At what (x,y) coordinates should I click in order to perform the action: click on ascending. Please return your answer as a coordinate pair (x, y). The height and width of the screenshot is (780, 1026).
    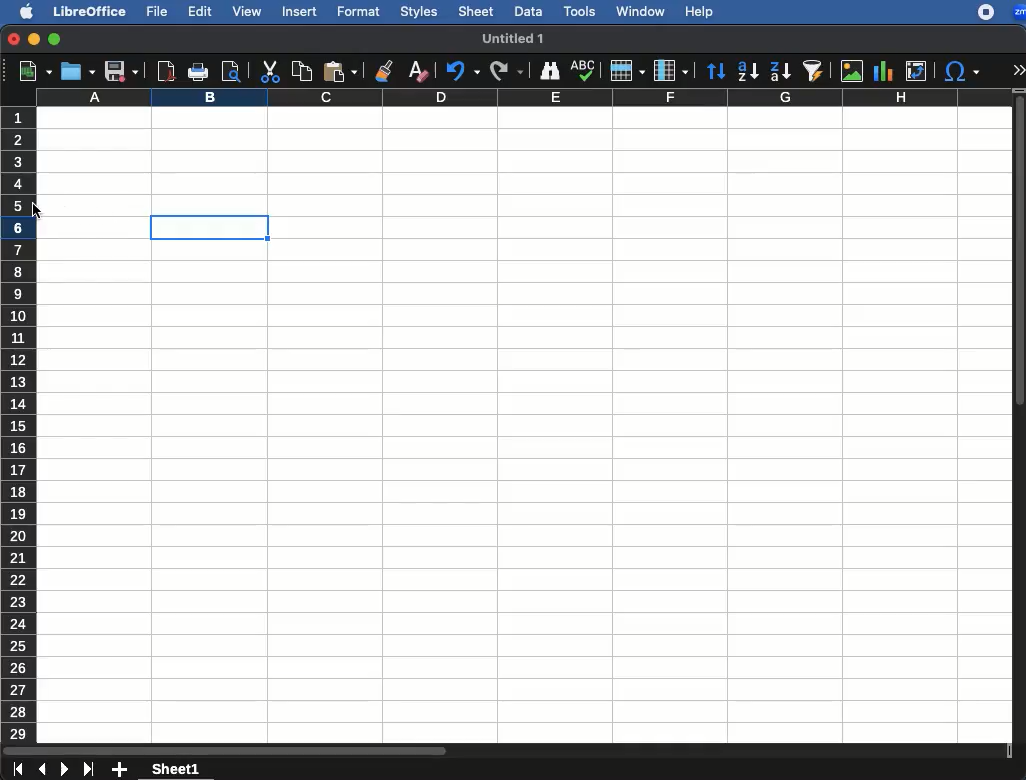
    Looking at the image, I should click on (748, 69).